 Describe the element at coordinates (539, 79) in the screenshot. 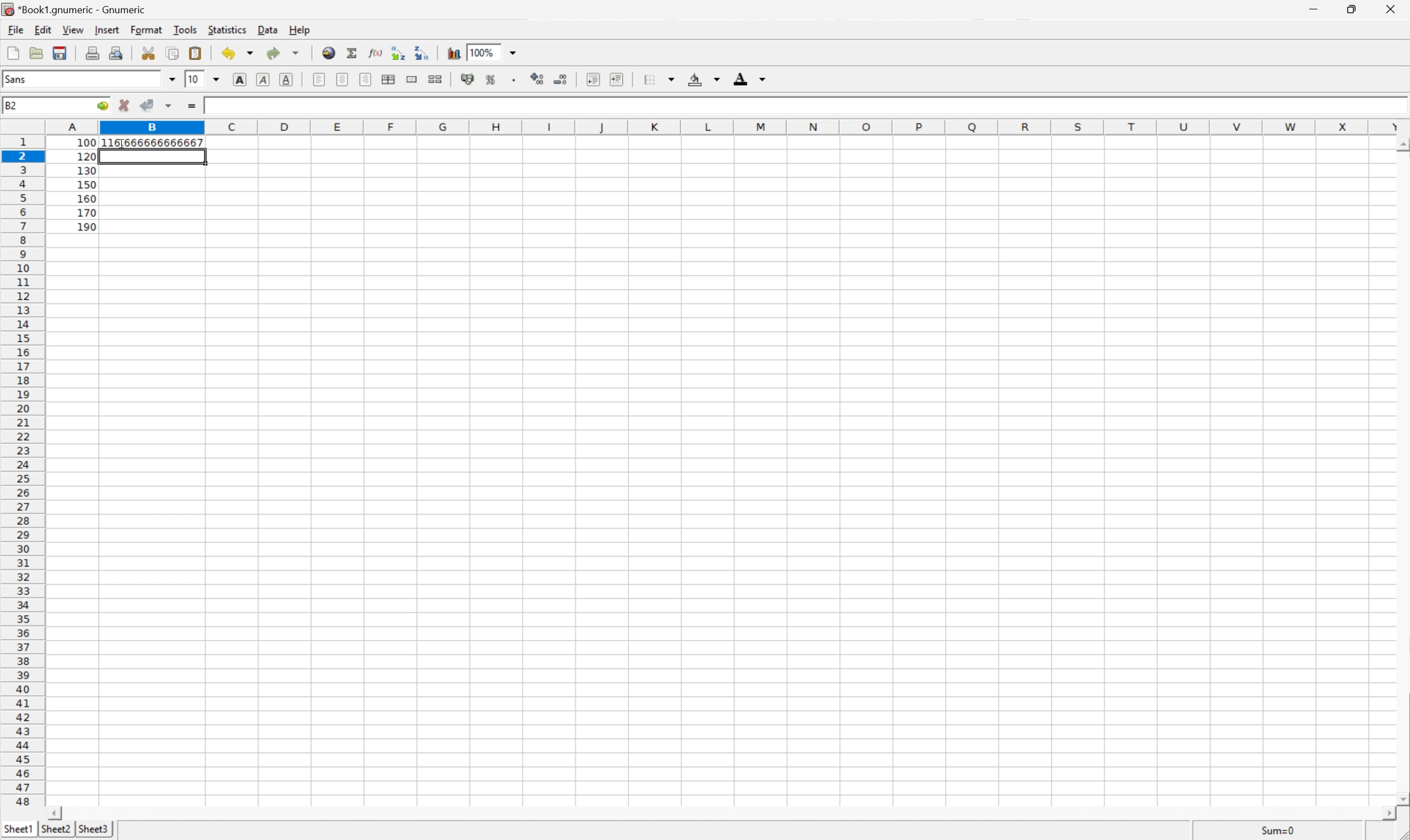

I see `Increase the number of decimals displayed` at that location.